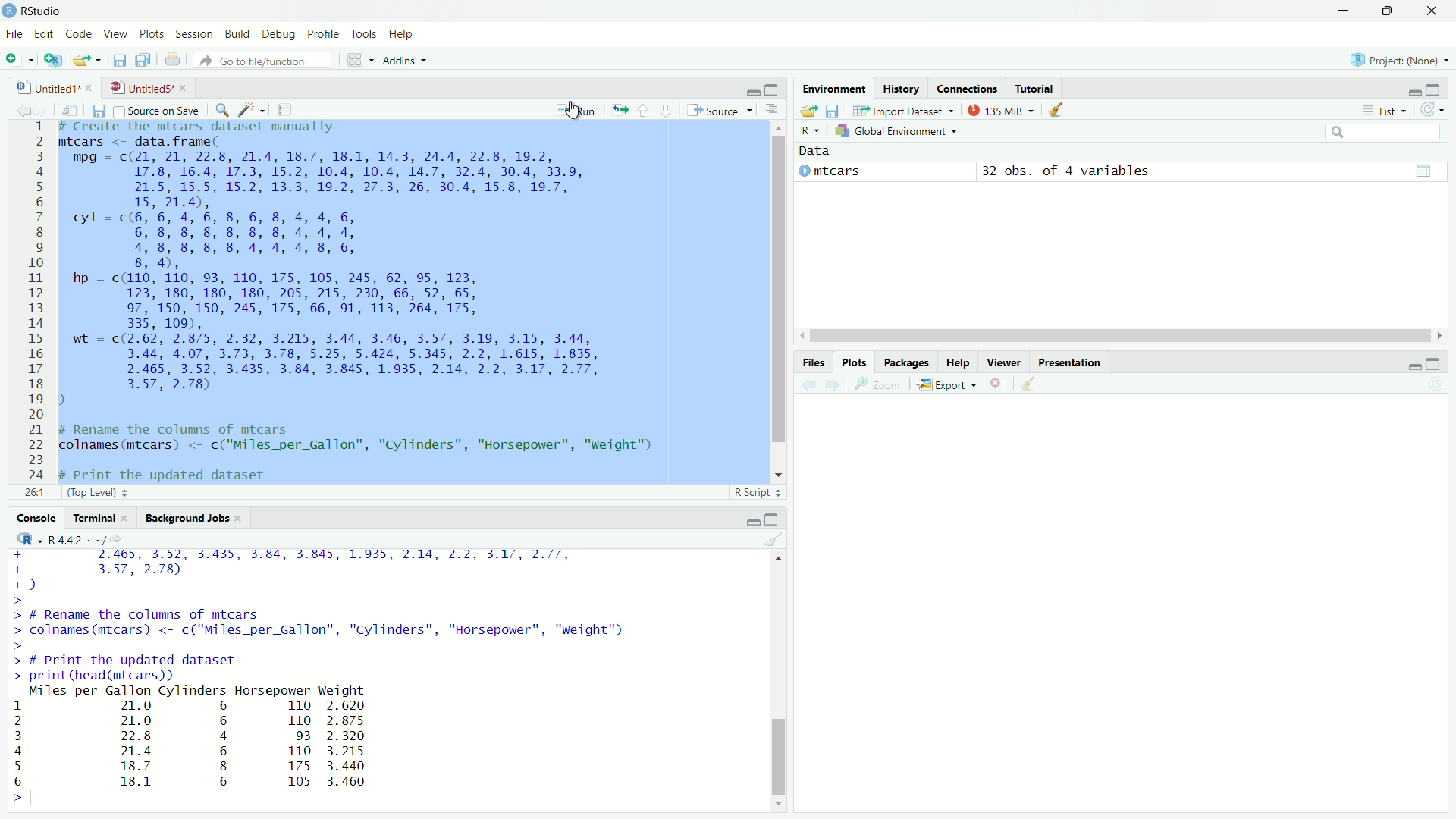 Image resolution: width=1456 pixels, height=819 pixels. Describe the element at coordinates (833, 90) in the screenshot. I see `Environment` at that location.